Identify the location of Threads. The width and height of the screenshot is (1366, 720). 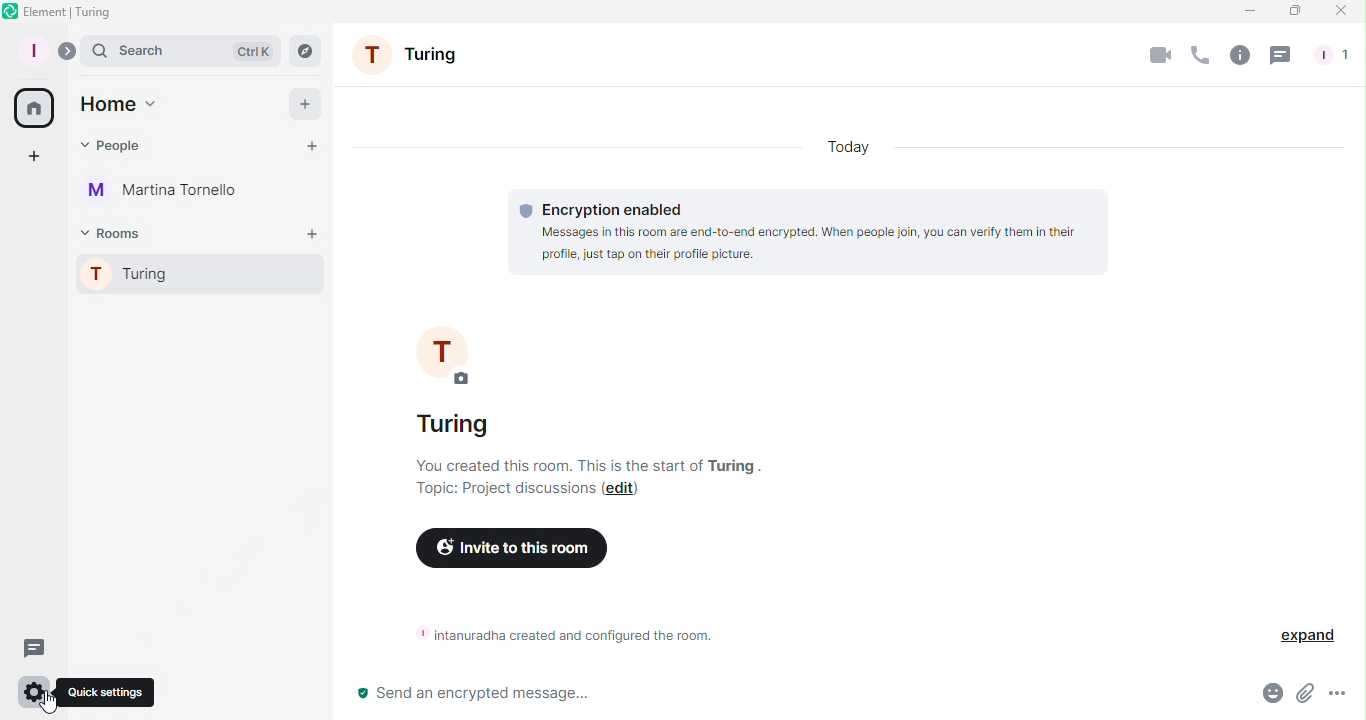
(1283, 58).